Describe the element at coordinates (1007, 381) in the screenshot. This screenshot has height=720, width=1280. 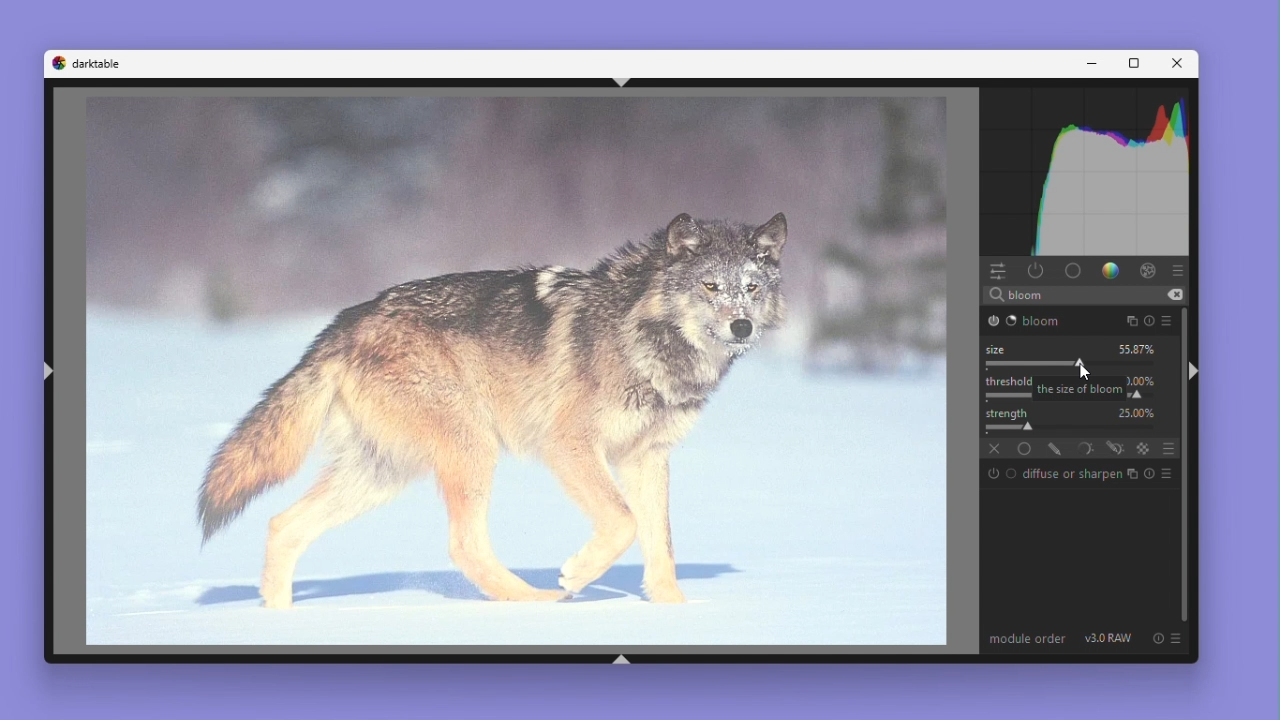
I see `threshold` at that location.